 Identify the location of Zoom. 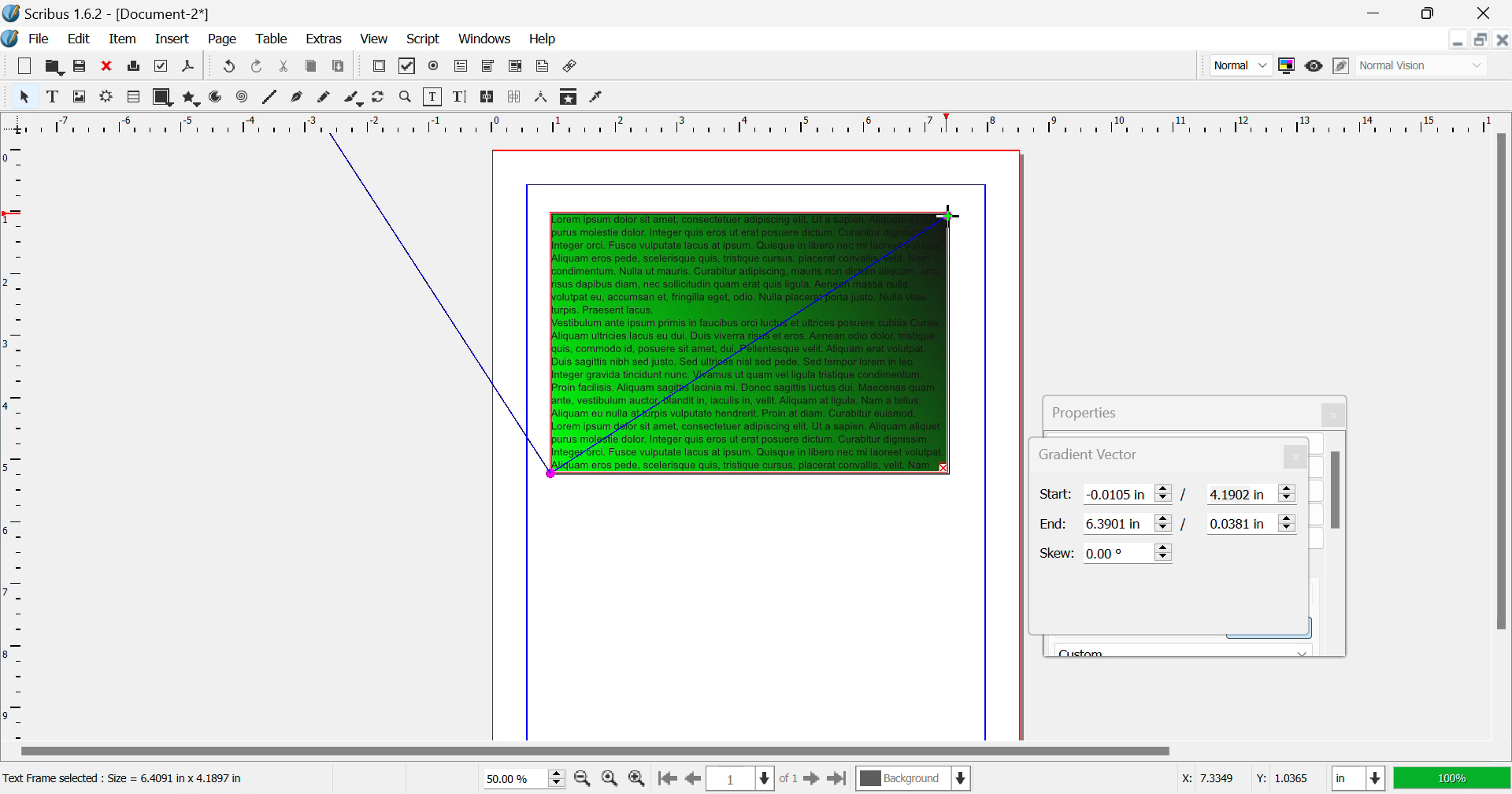
(406, 97).